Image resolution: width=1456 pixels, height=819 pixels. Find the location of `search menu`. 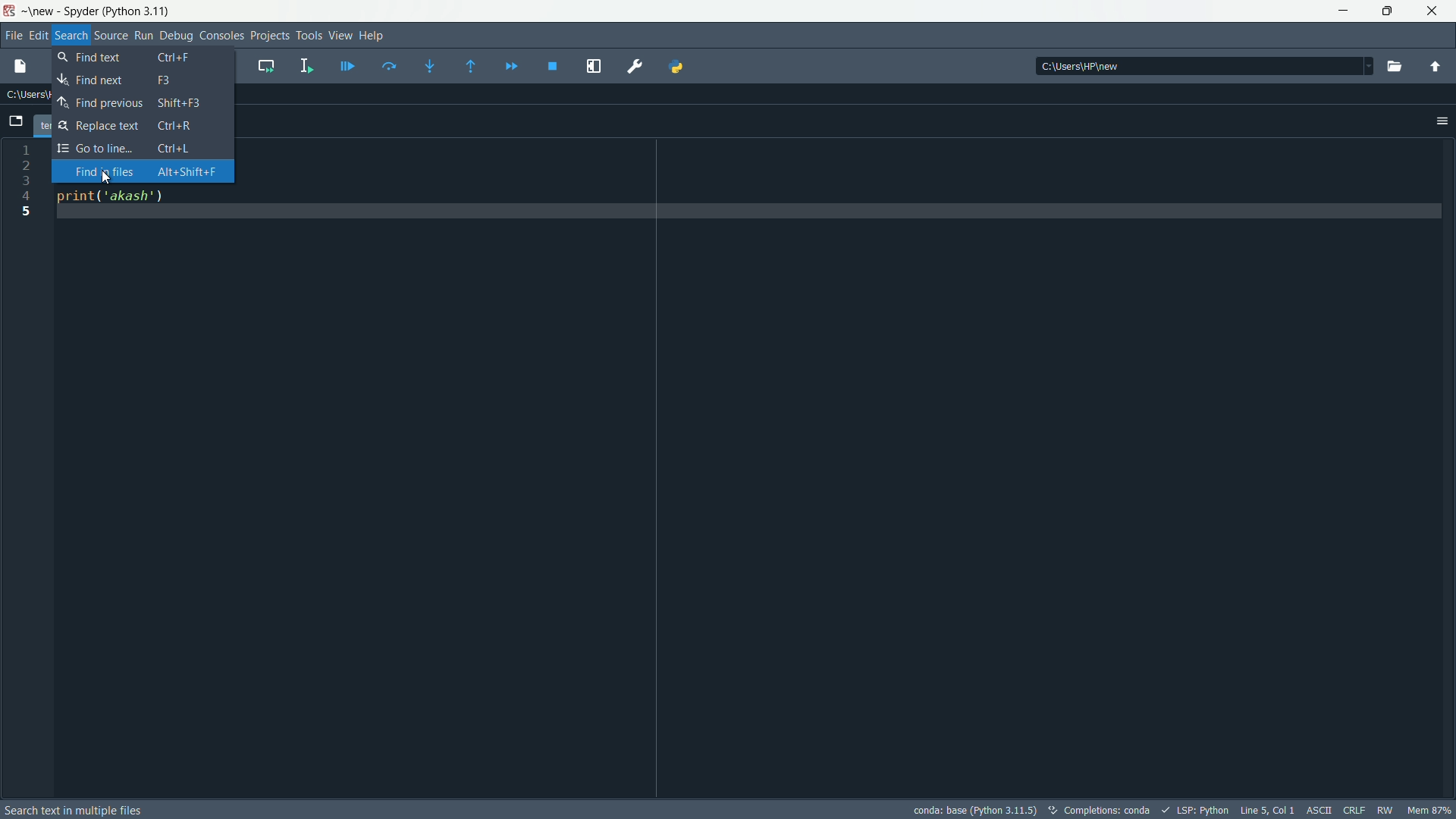

search menu is located at coordinates (71, 36).